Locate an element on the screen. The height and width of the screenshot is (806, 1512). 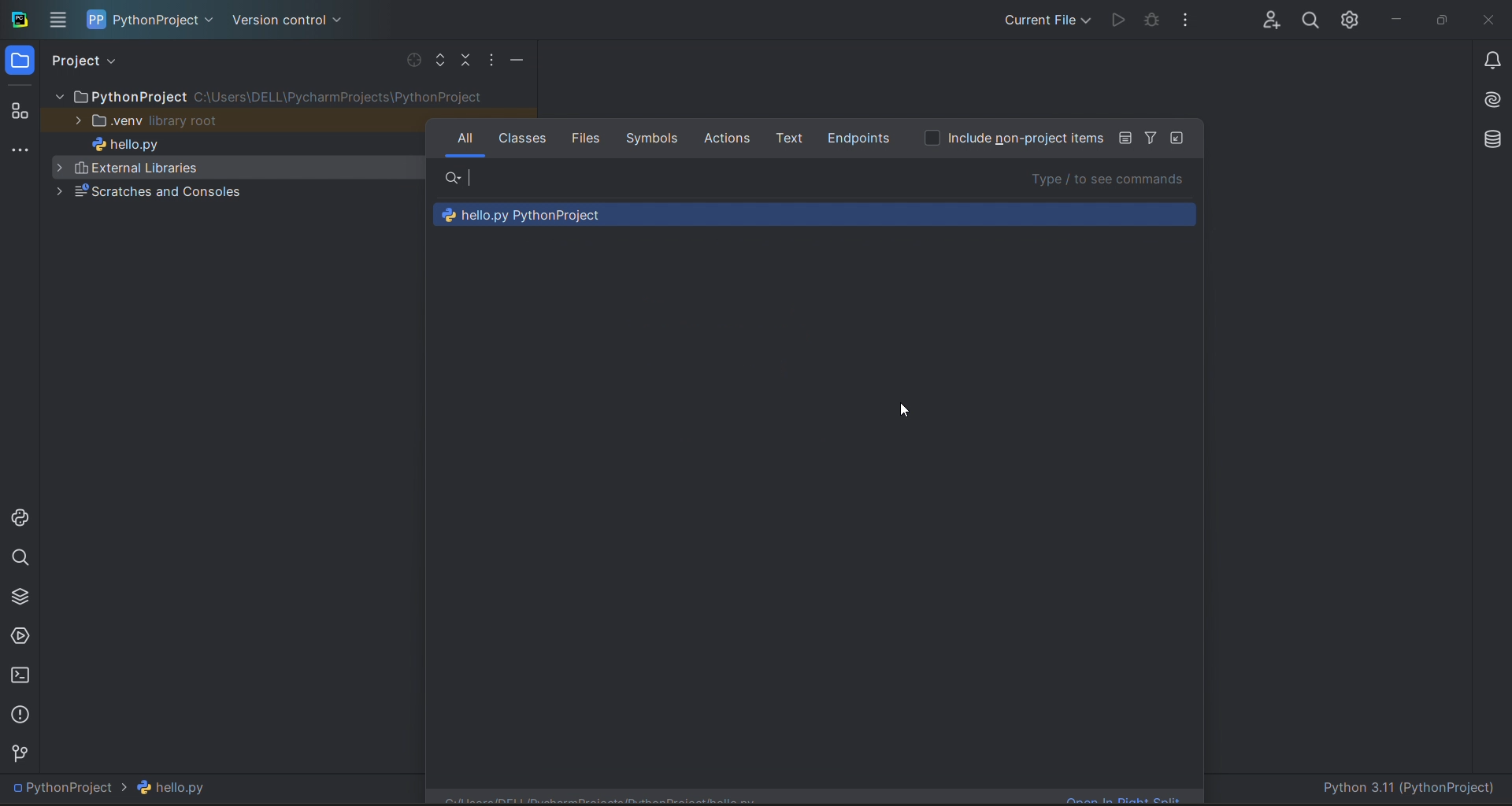
maximize is located at coordinates (1441, 17).